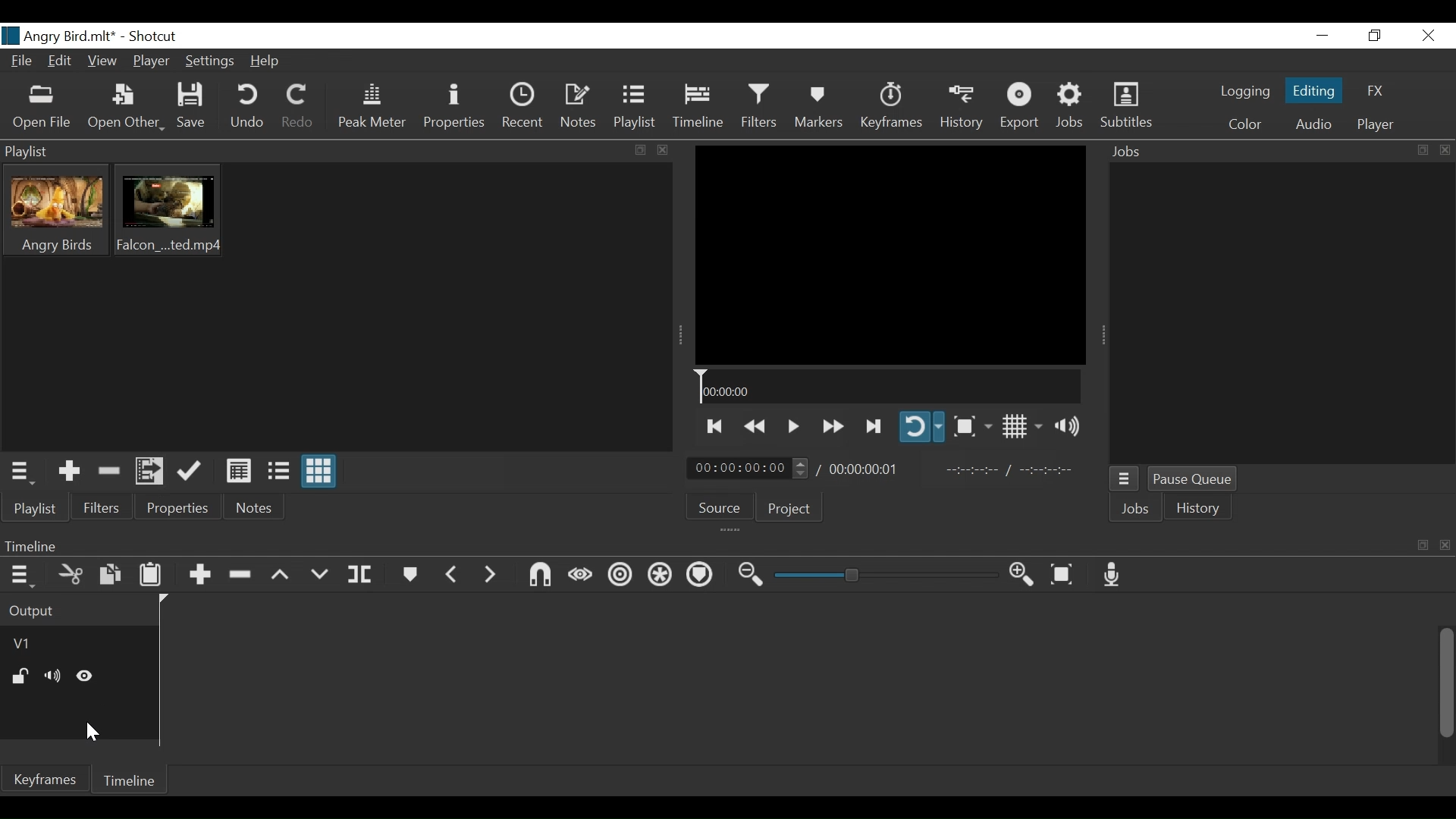 This screenshot has height=819, width=1456. What do you see at coordinates (67, 471) in the screenshot?
I see `Add the Source to the playlist` at bounding box center [67, 471].